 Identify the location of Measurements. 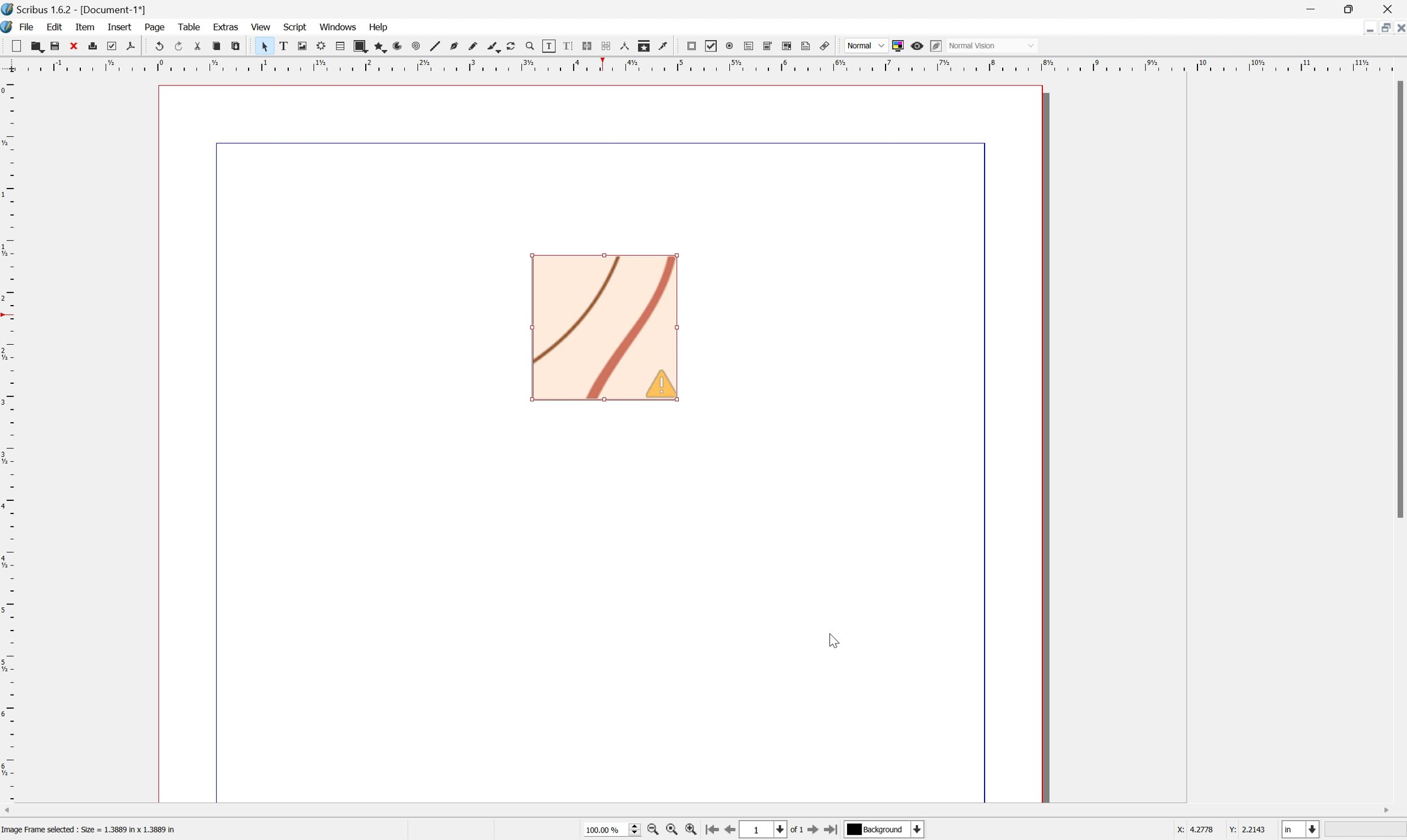
(628, 46).